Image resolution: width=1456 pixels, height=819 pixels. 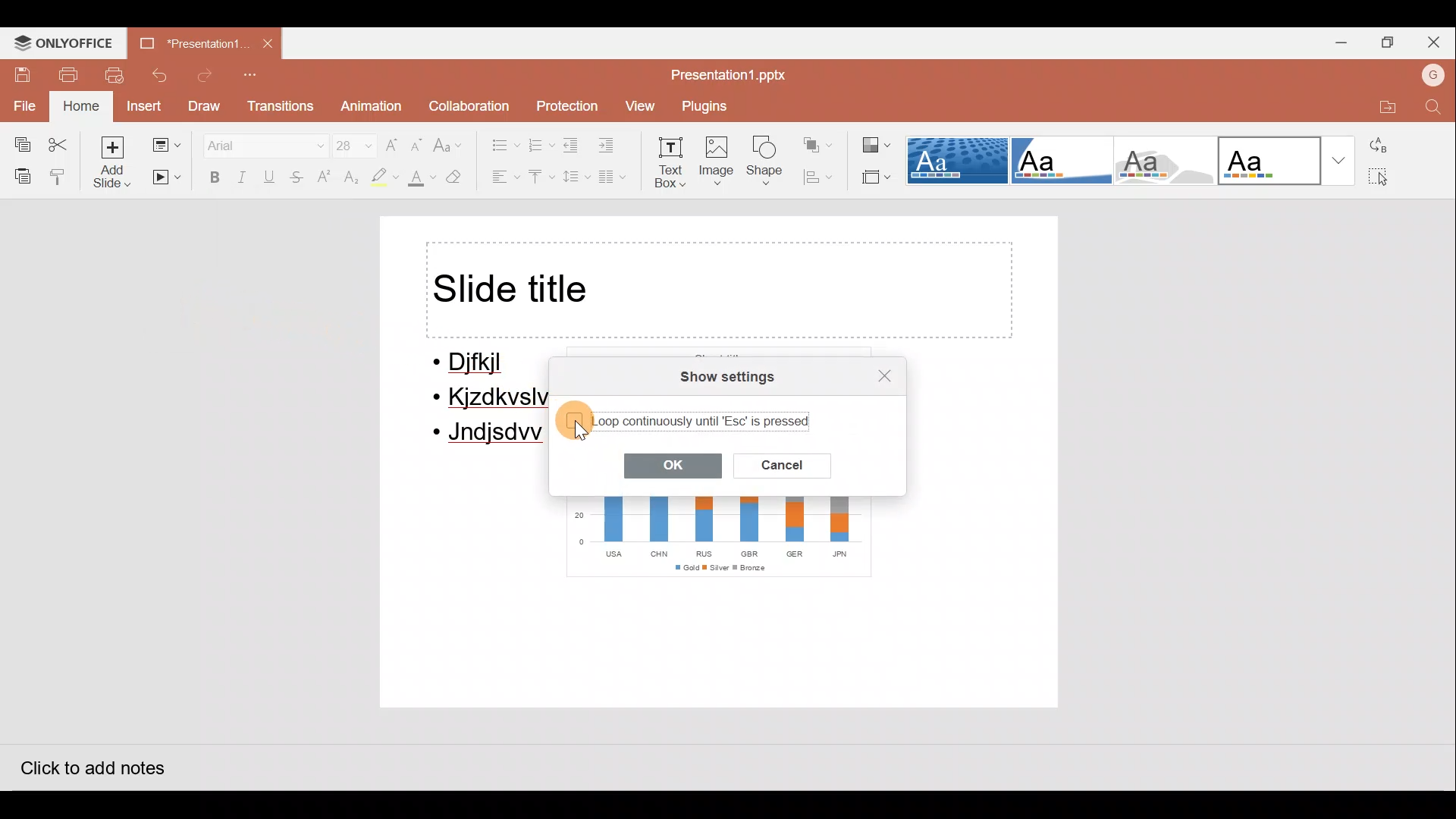 What do you see at coordinates (58, 74) in the screenshot?
I see `Print file` at bounding box center [58, 74].